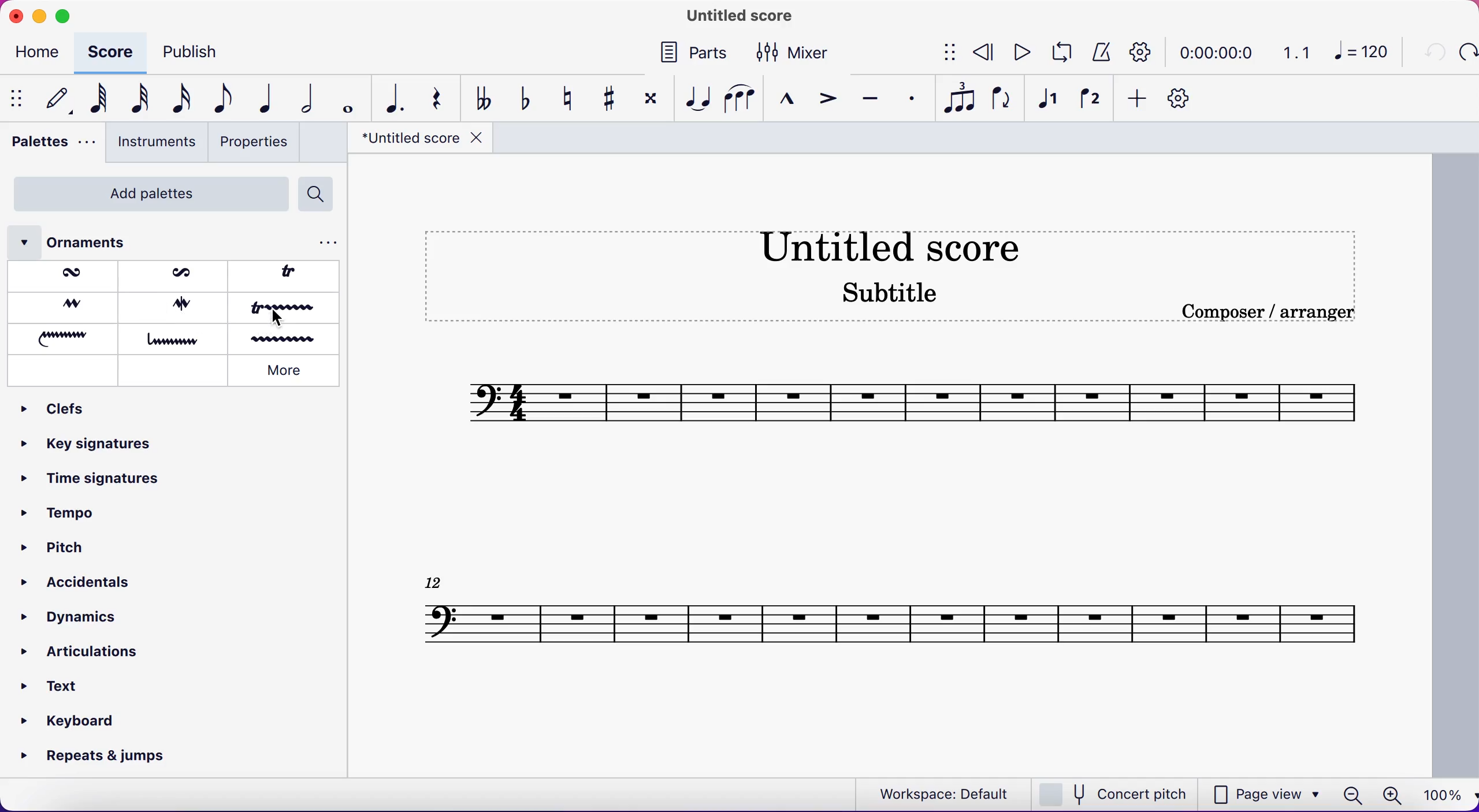 The height and width of the screenshot is (812, 1479). I want to click on toggle double flat, so click(484, 98).